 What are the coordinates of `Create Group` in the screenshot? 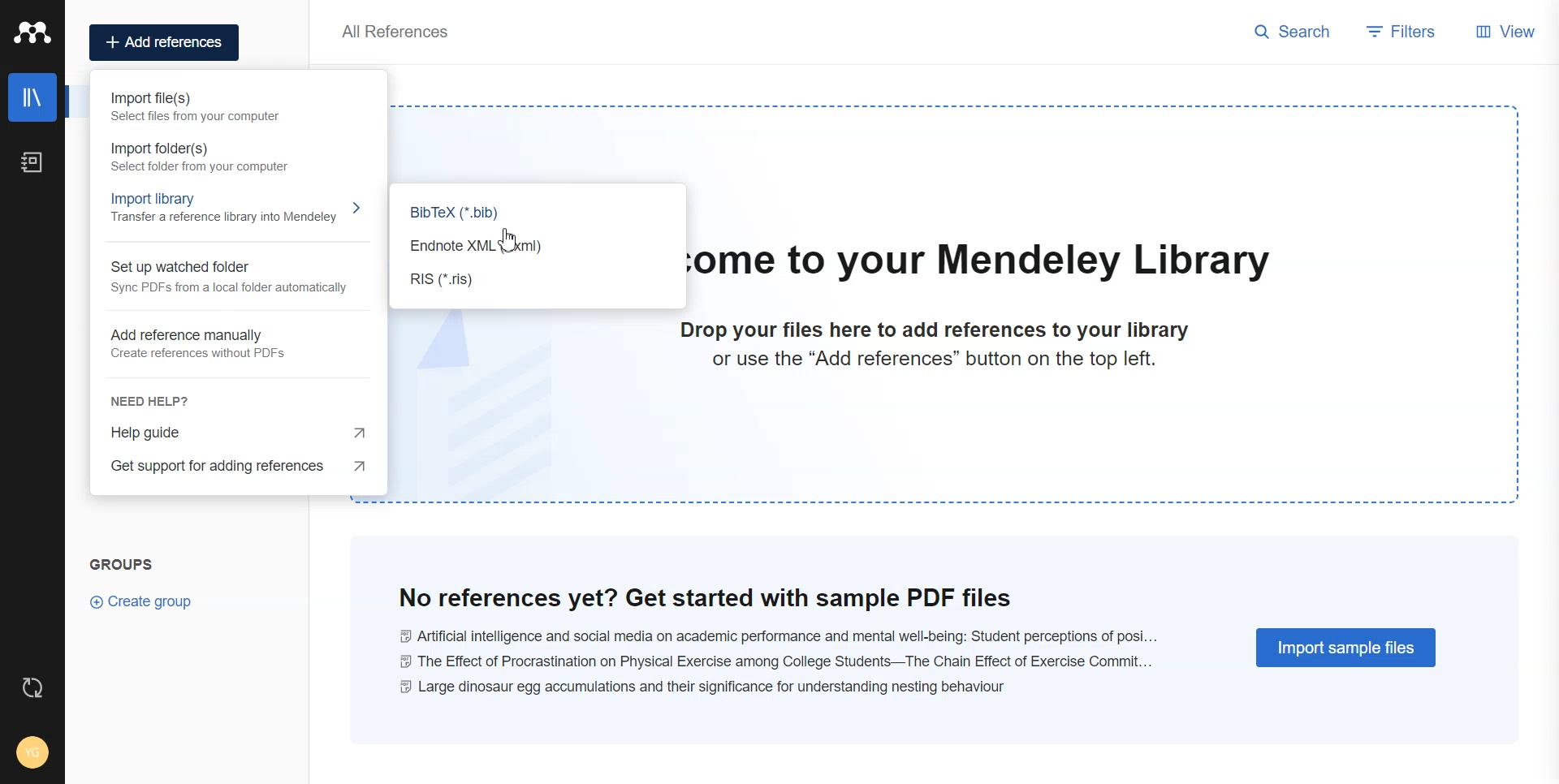 It's located at (144, 601).